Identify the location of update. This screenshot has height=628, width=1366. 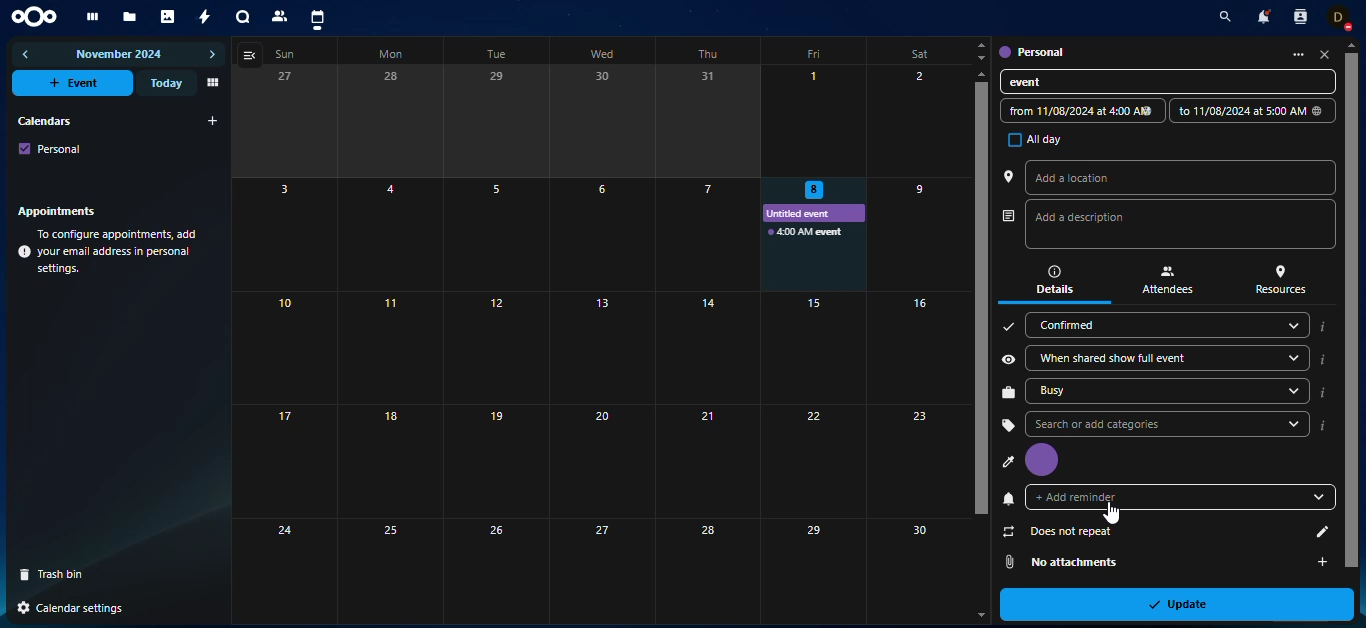
(1186, 603).